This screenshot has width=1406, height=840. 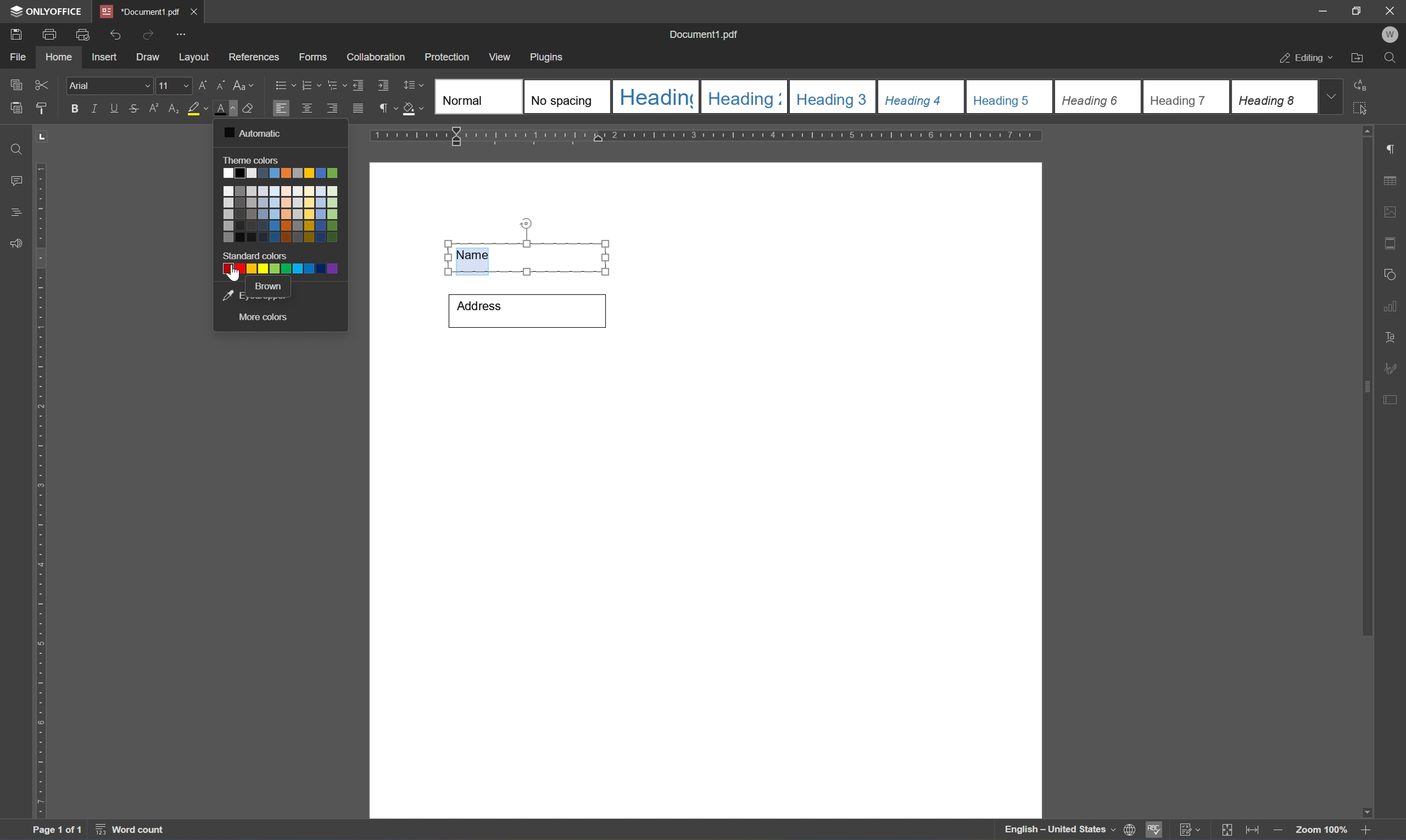 I want to click on italic, so click(x=93, y=108).